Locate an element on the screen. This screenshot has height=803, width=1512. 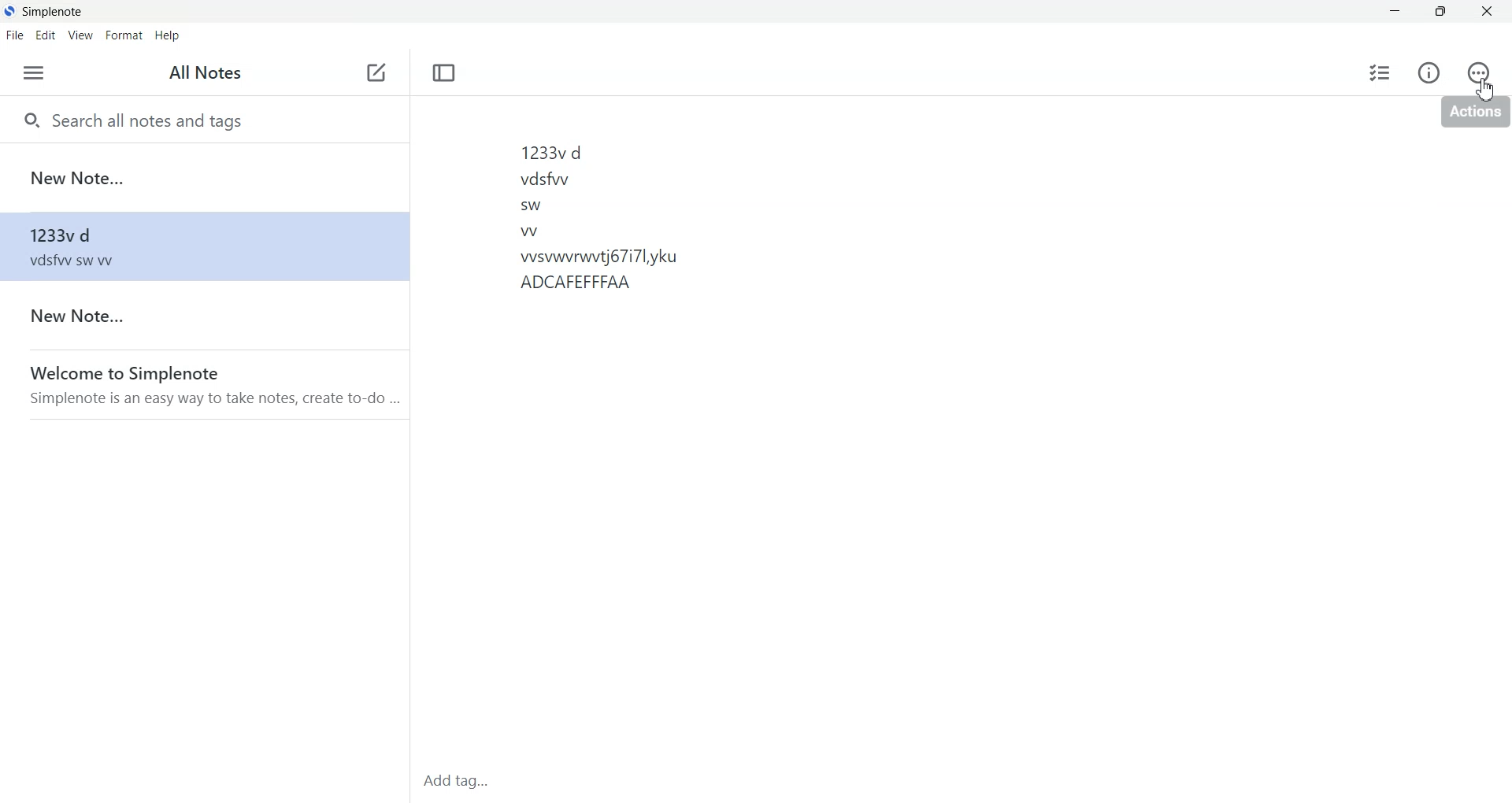
New Note is located at coordinates (204, 178).